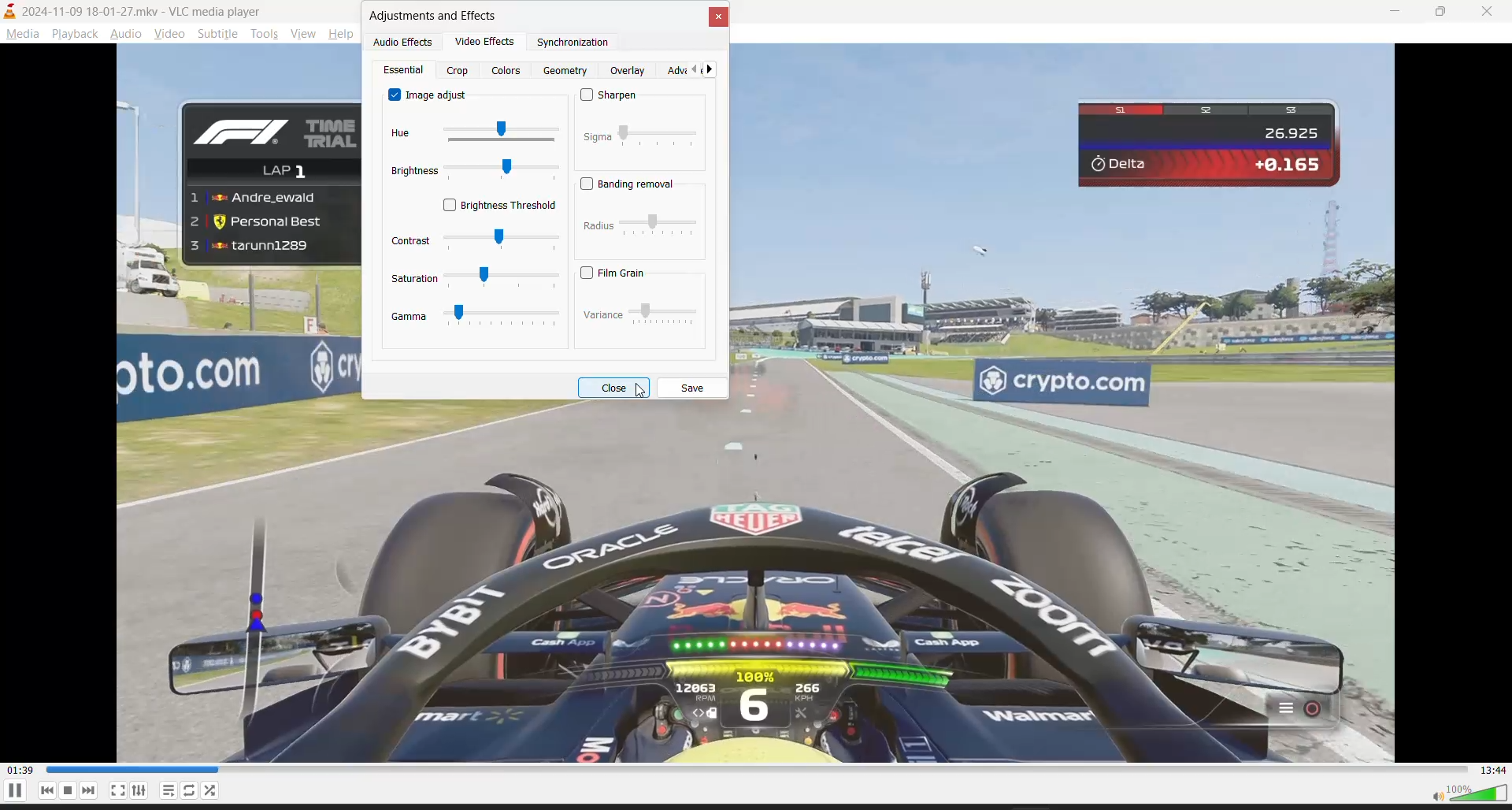 The width and height of the screenshot is (1512, 810). I want to click on pause, so click(14, 795).